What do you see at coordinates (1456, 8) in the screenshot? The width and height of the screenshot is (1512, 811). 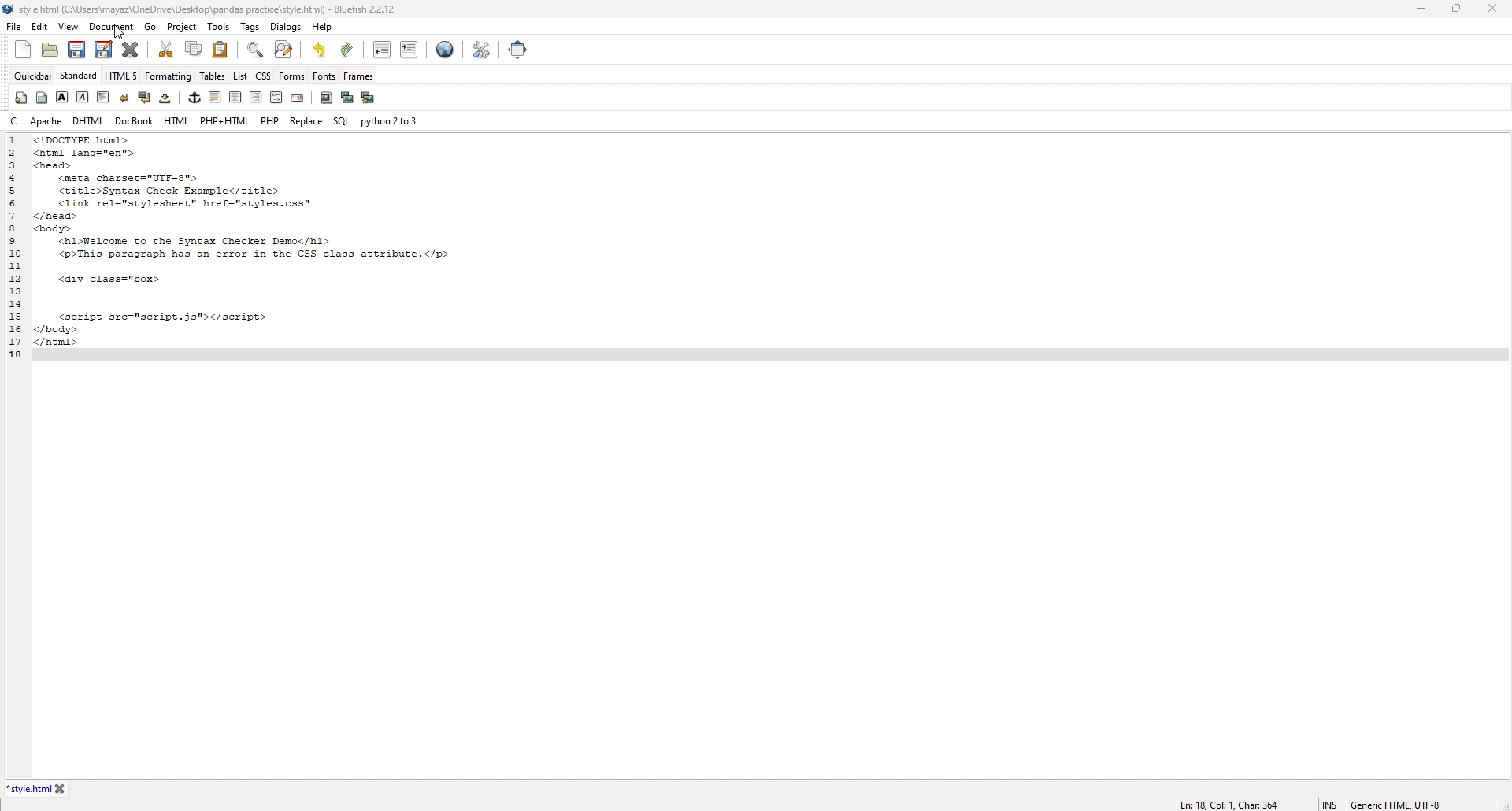 I see `resize` at bounding box center [1456, 8].